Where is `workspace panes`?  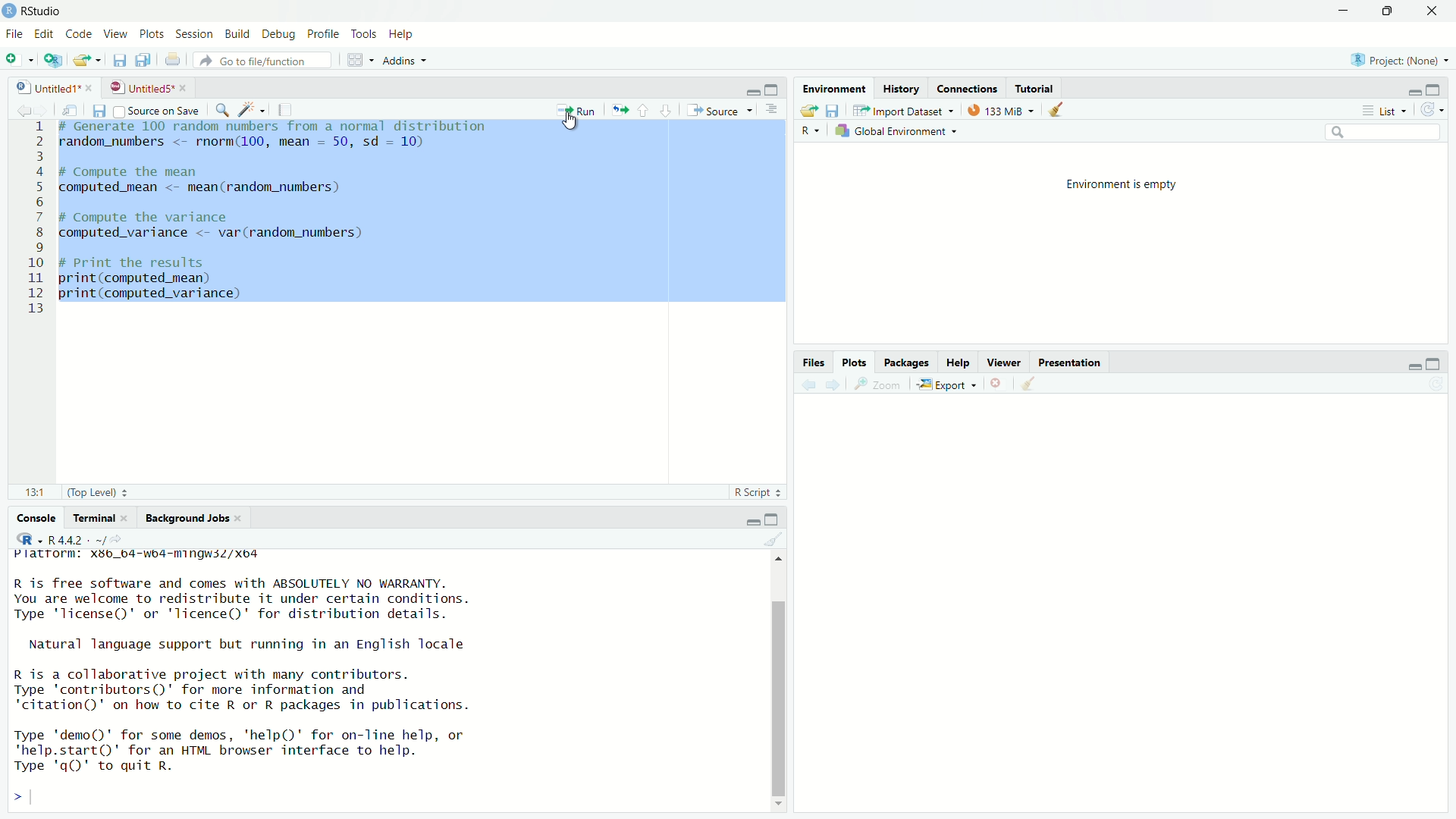
workspace panes is located at coordinates (359, 60).